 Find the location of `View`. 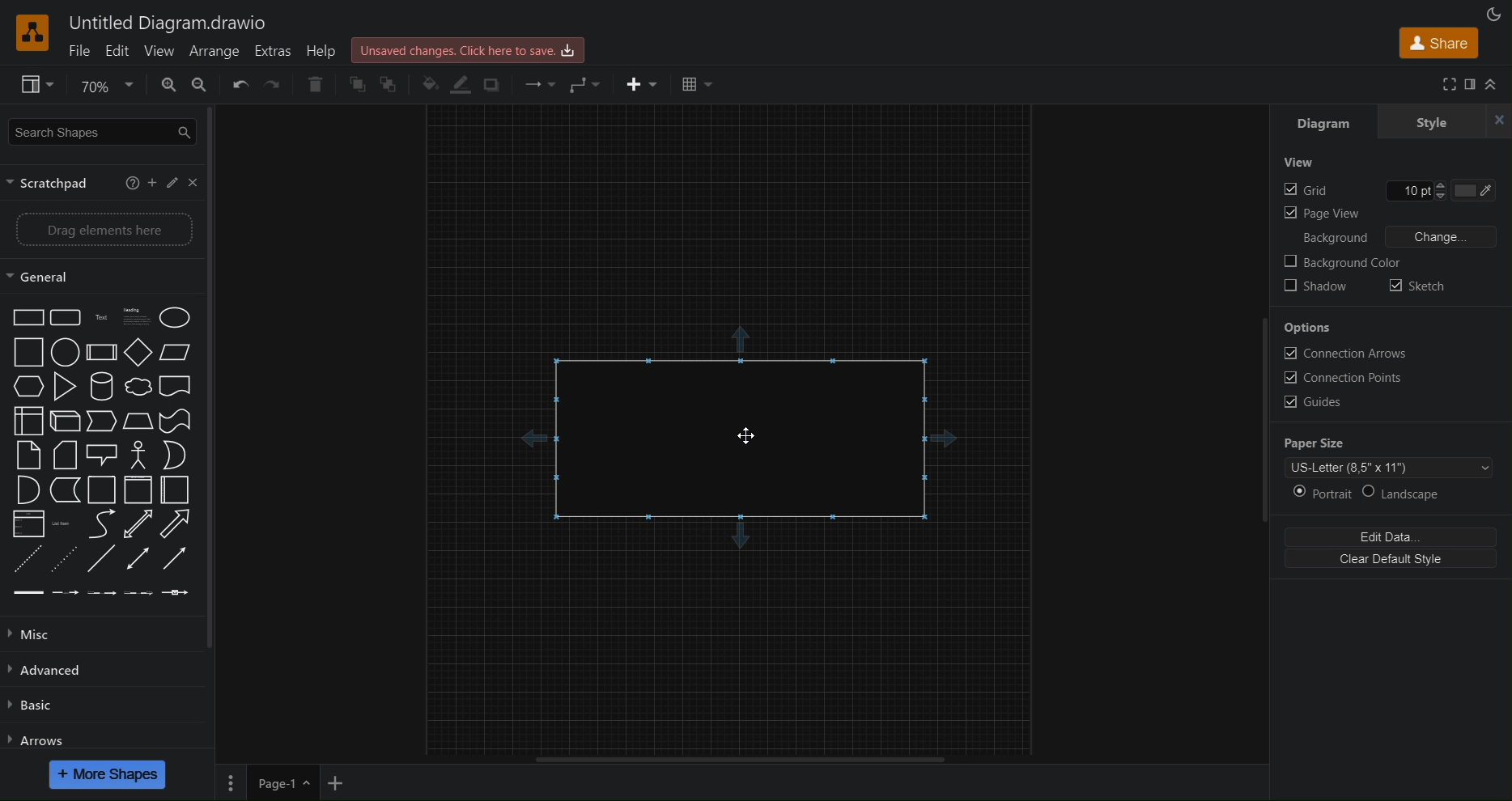

View is located at coordinates (158, 51).